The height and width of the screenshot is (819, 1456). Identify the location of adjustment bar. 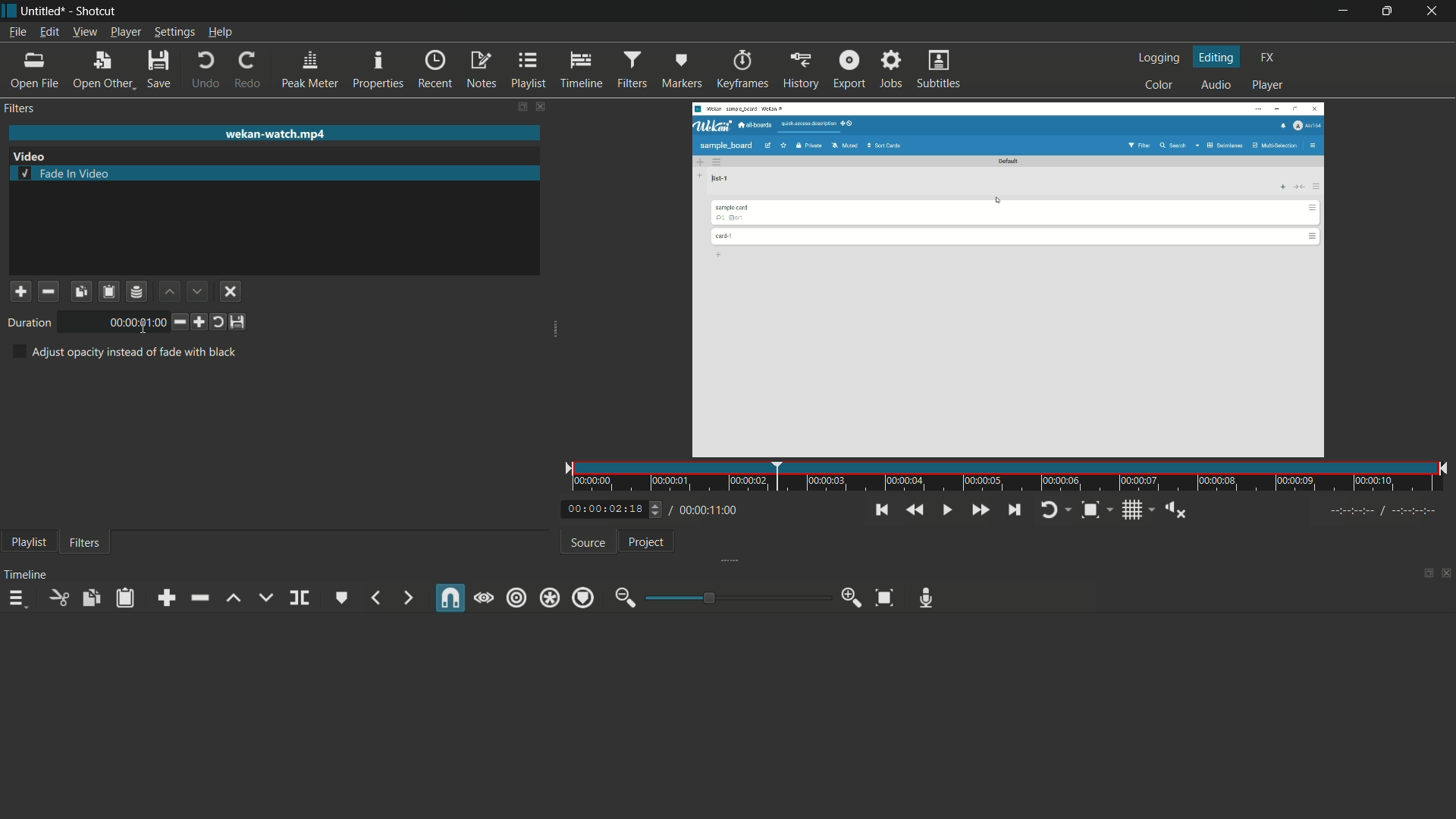
(736, 598).